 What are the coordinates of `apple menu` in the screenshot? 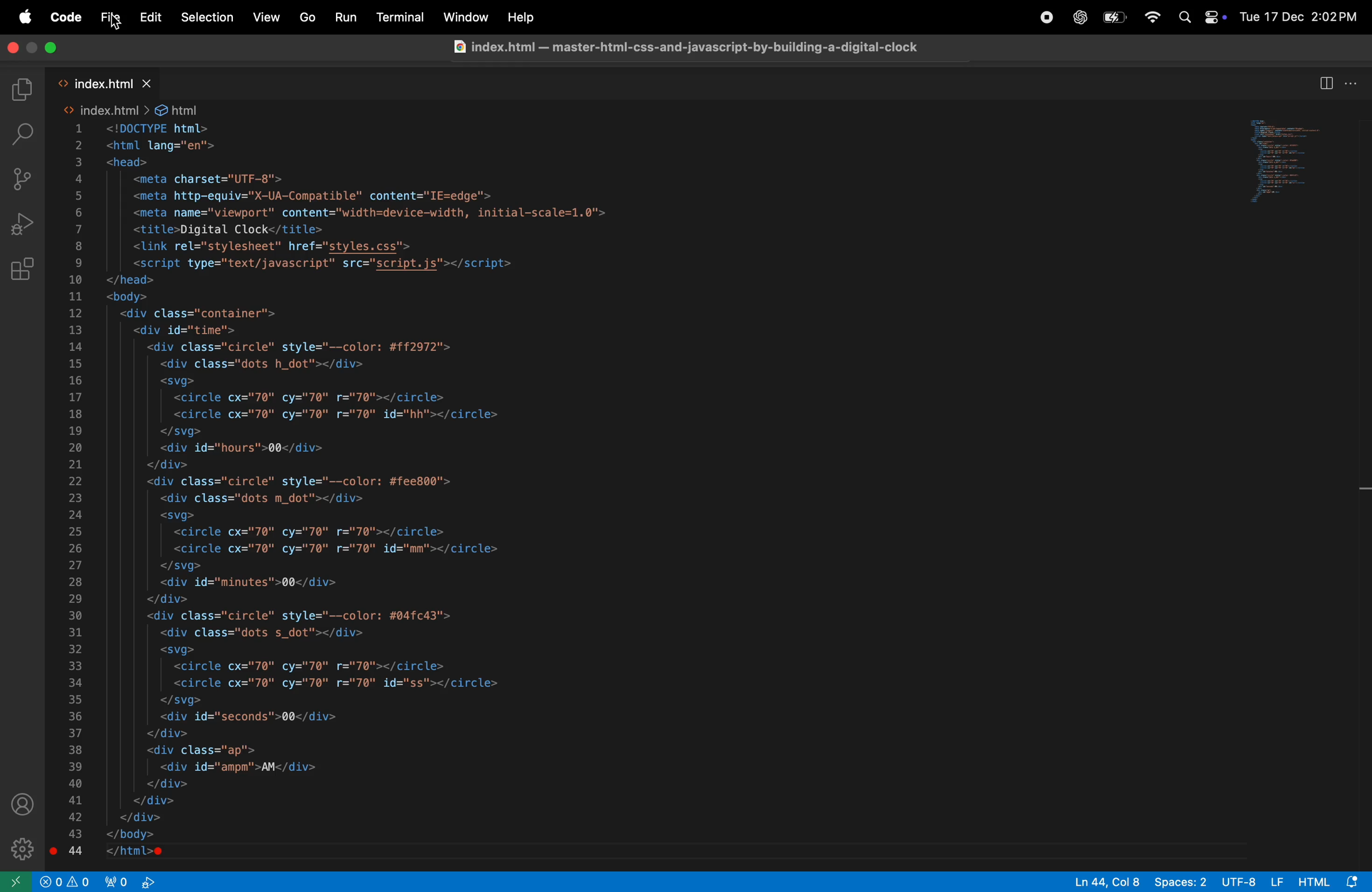 It's located at (26, 18).